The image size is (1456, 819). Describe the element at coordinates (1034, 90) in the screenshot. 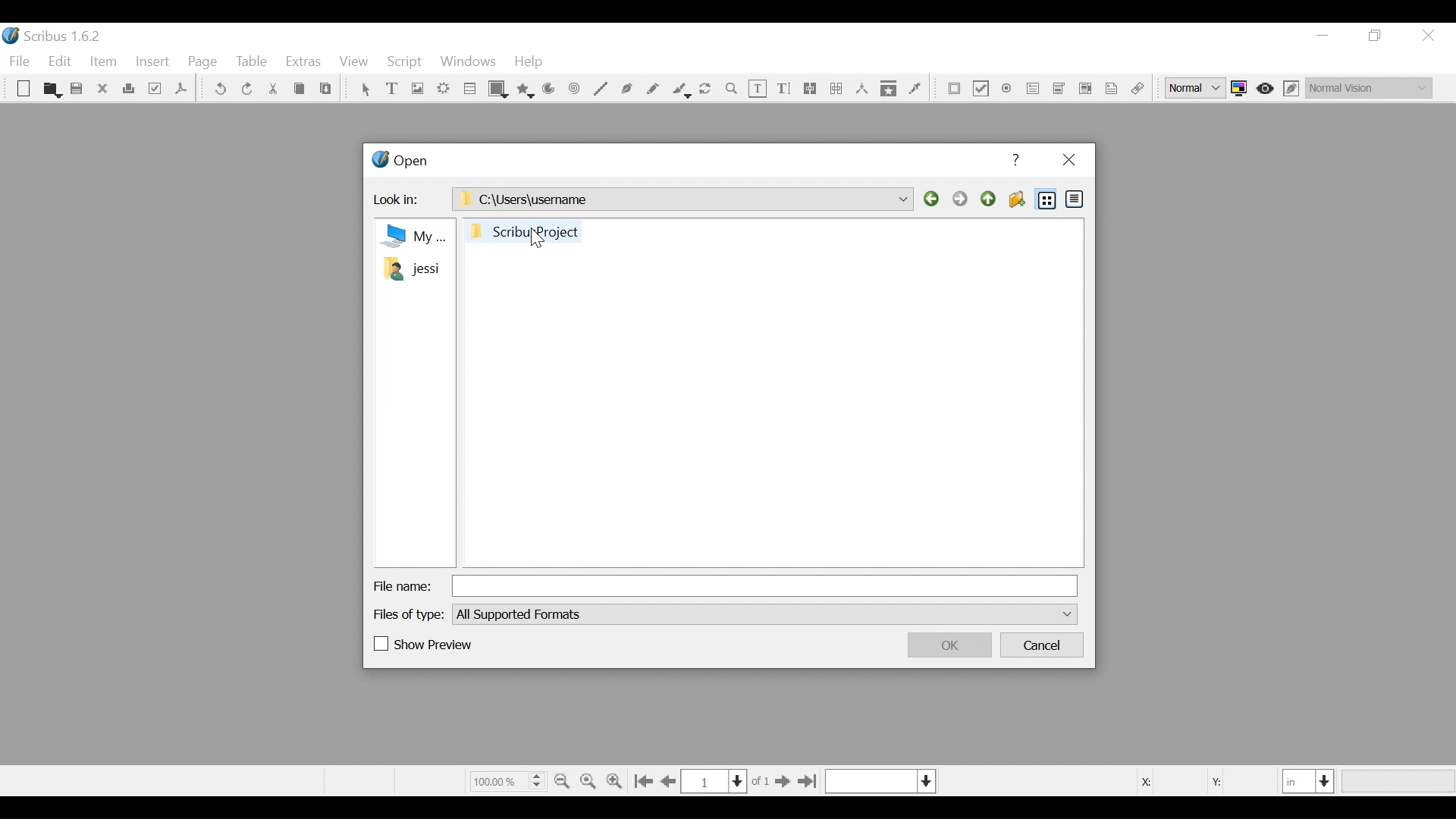

I see `PDF Combo Box` at that location.